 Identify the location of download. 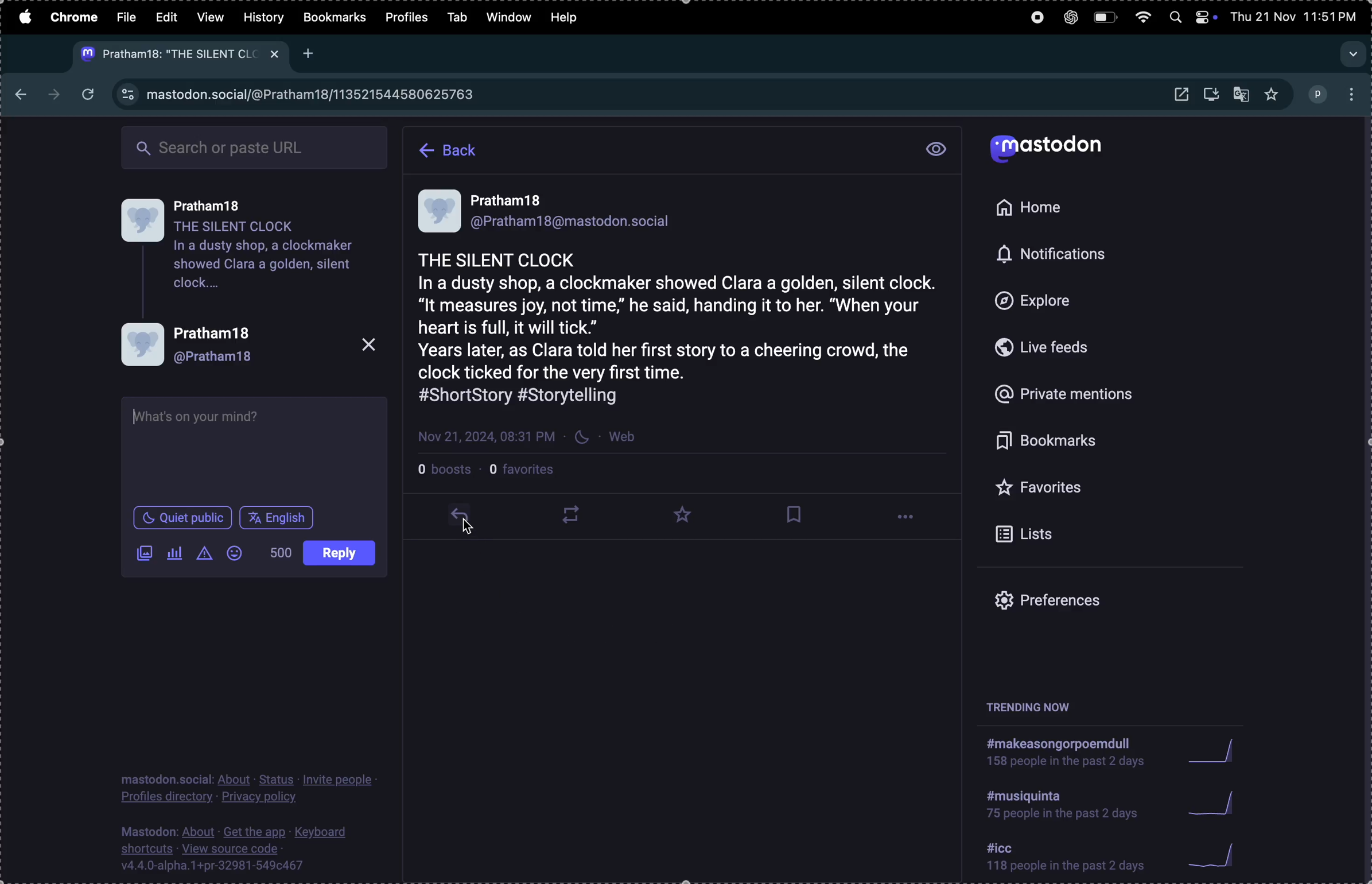
(1214, 96).